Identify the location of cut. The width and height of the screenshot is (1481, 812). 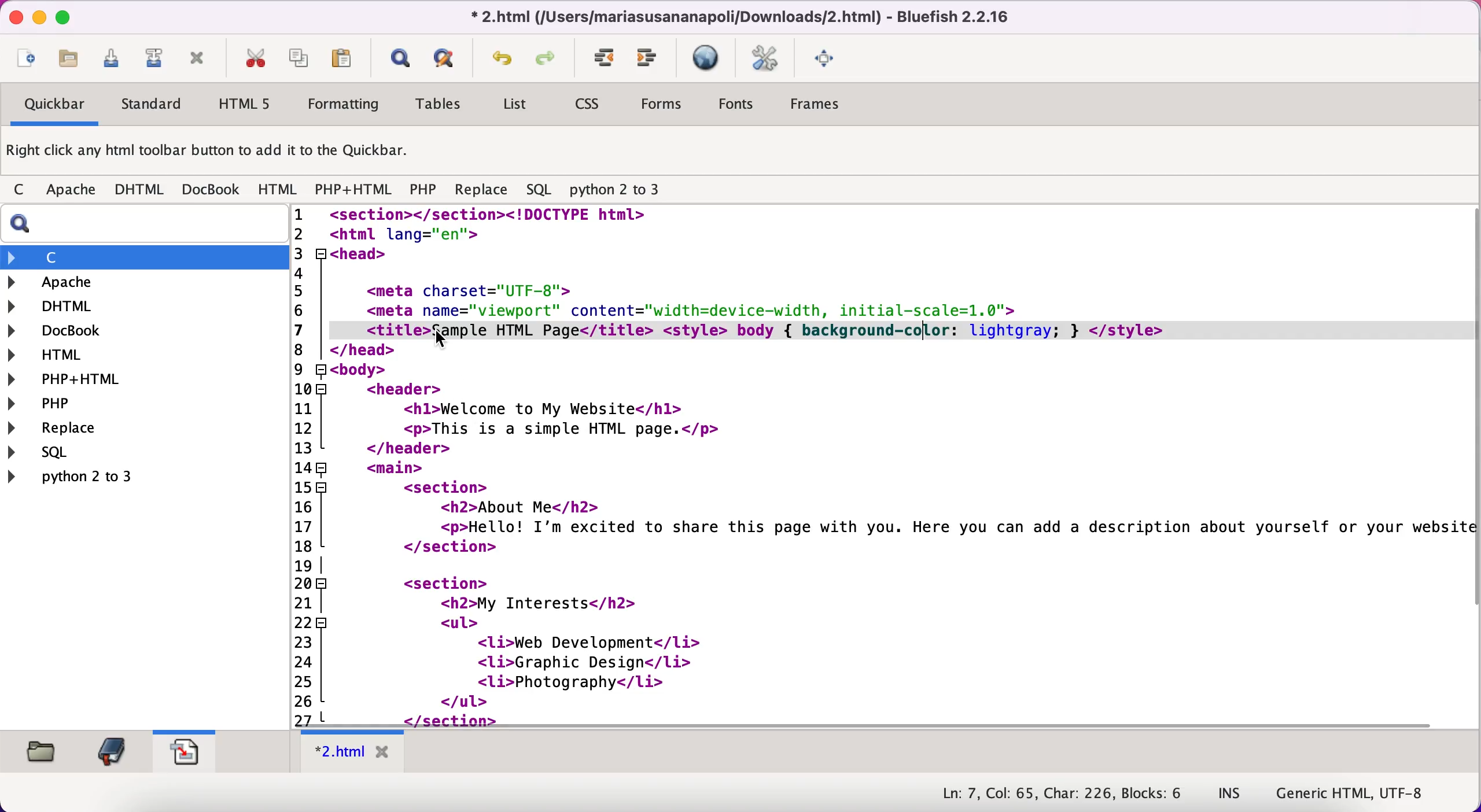
(255, 58).